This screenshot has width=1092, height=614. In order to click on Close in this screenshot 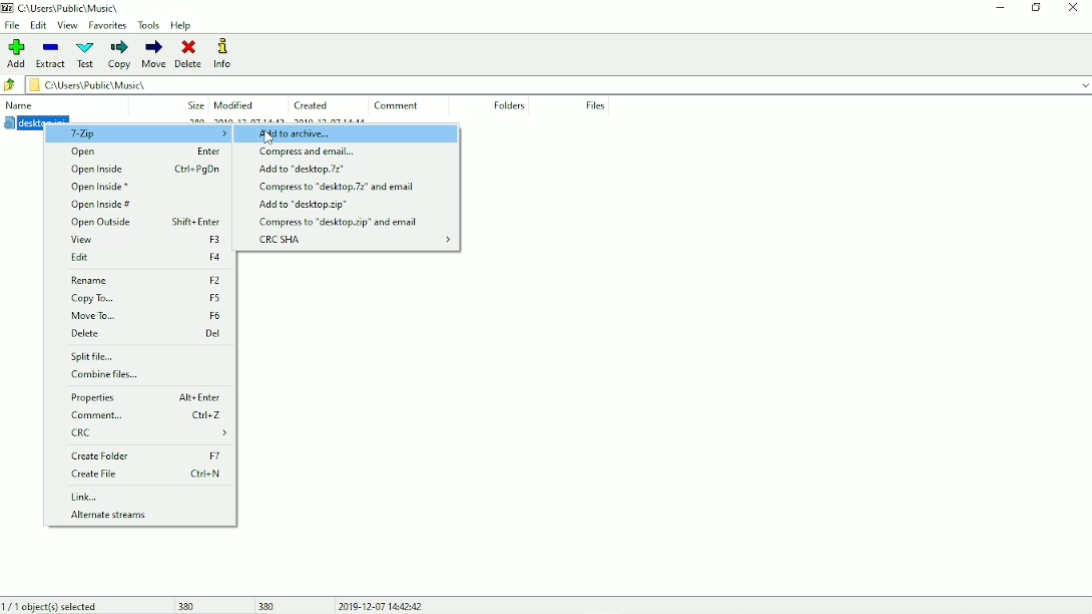, I will do `click(1074, 7)`.